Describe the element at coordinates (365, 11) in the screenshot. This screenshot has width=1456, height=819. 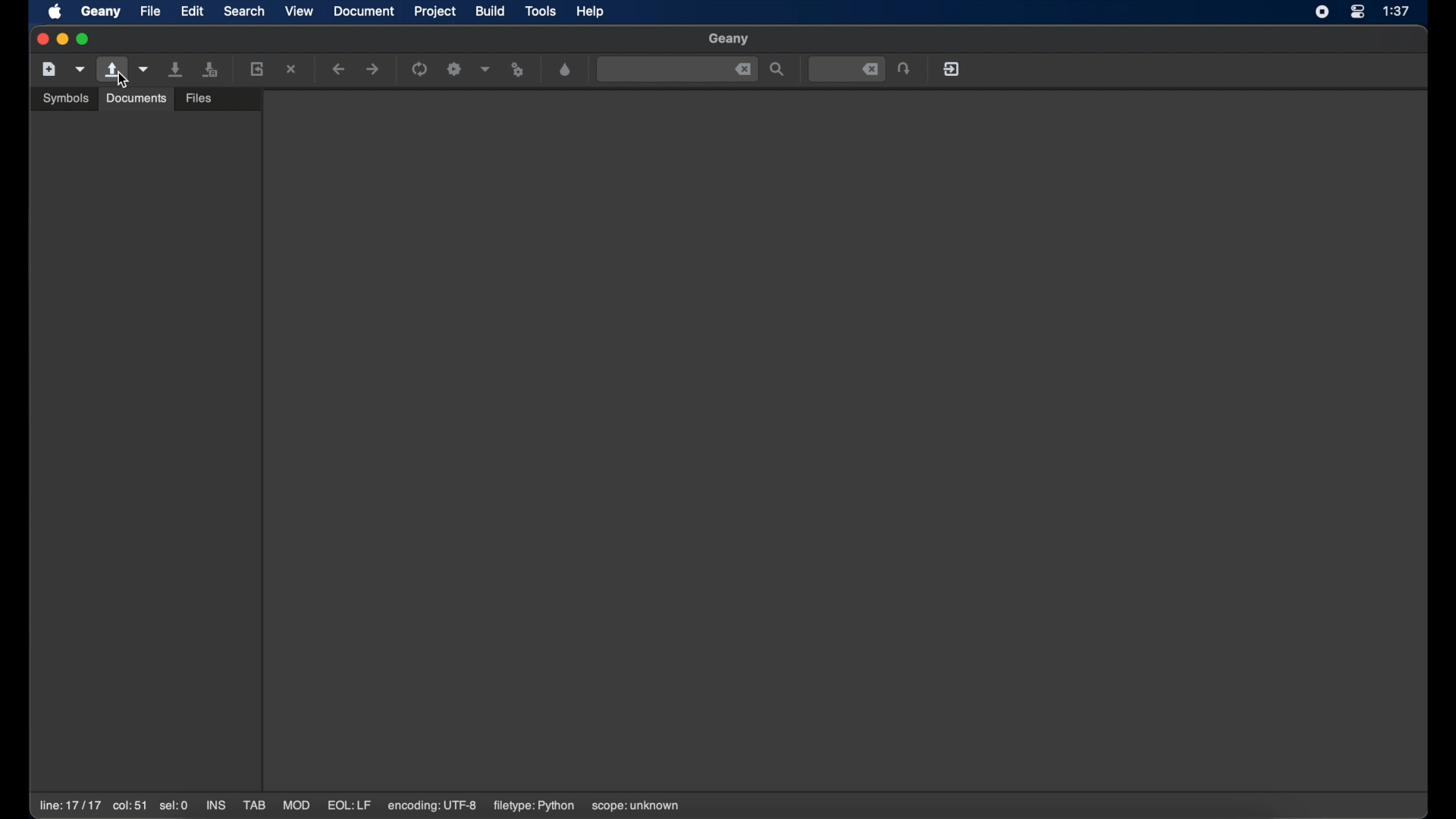
I see `document` at that location.